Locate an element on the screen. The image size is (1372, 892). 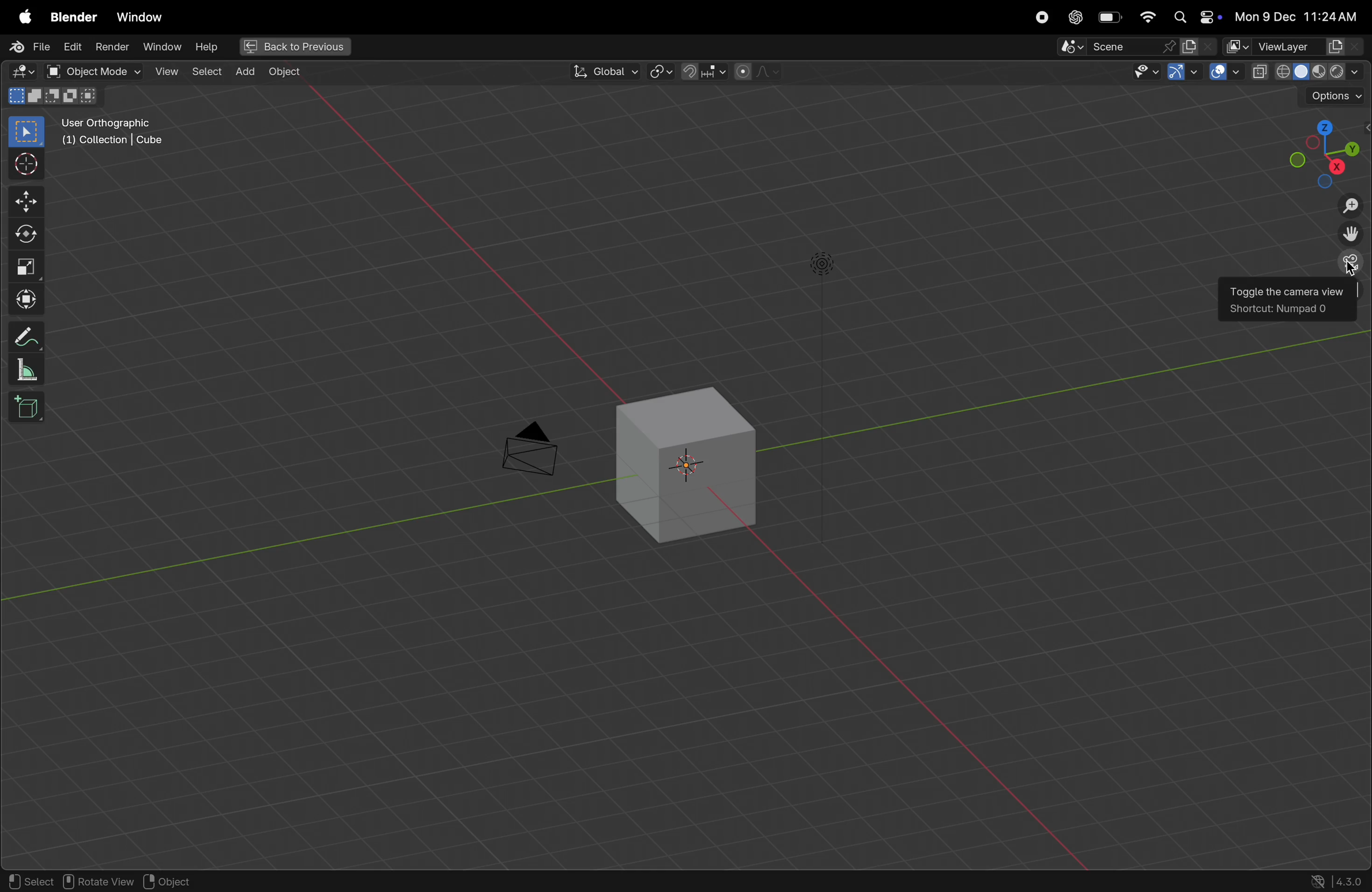
edit is located at coordinates (70, 46).